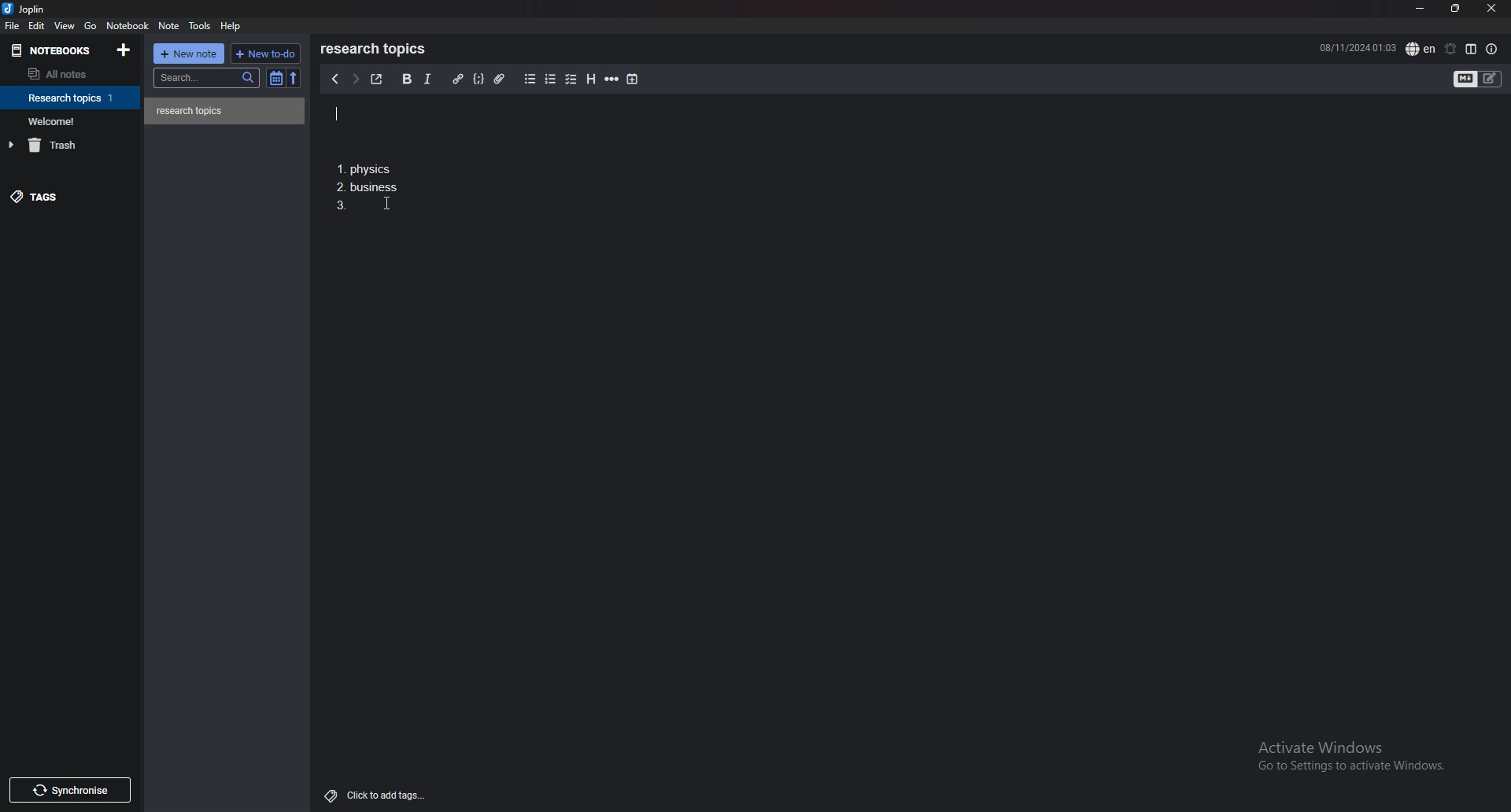 The height and width of the screenshot is (812, 1511). I want to click on bold, so click(405, 79).